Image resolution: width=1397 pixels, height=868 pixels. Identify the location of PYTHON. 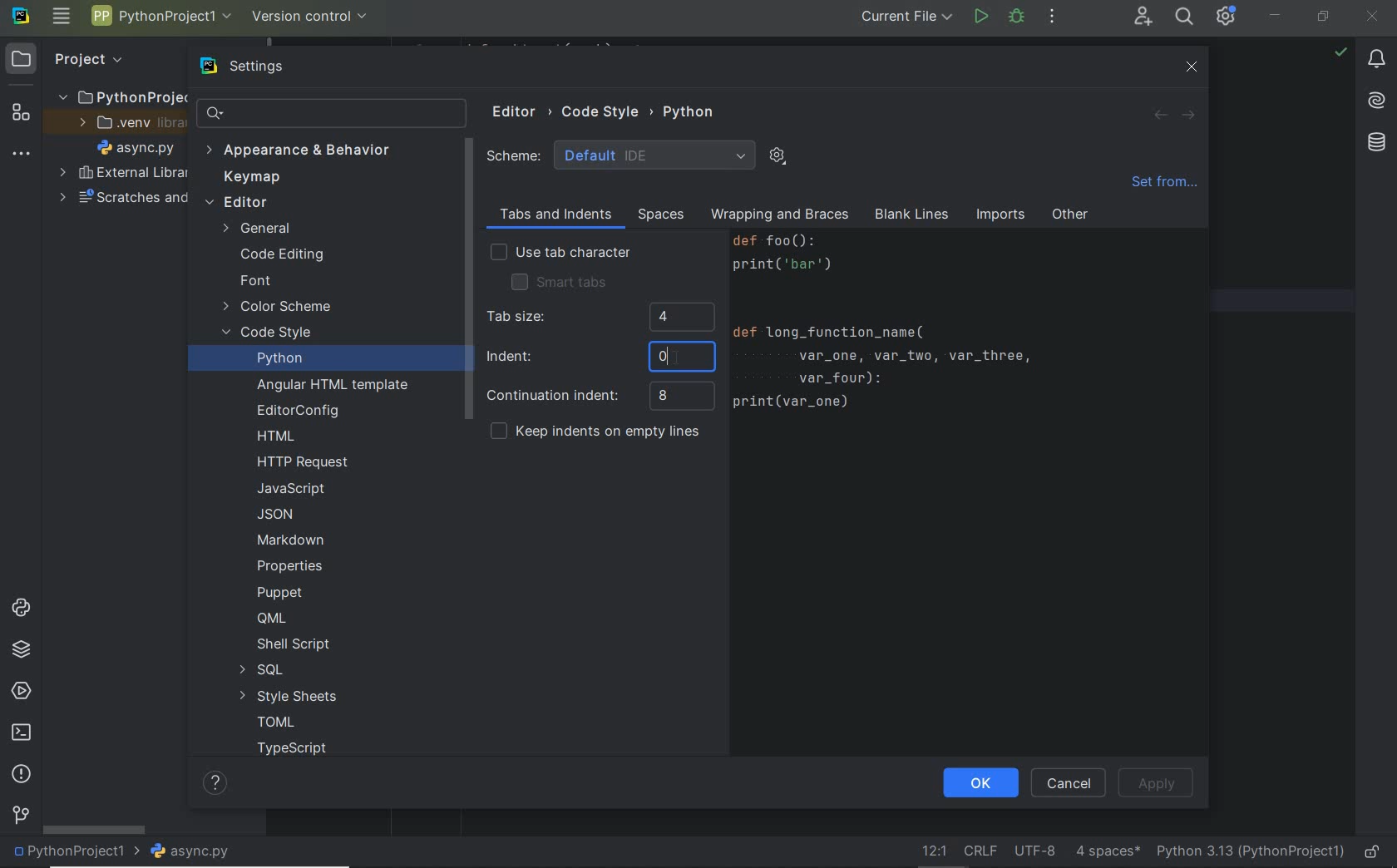
(691, 111).